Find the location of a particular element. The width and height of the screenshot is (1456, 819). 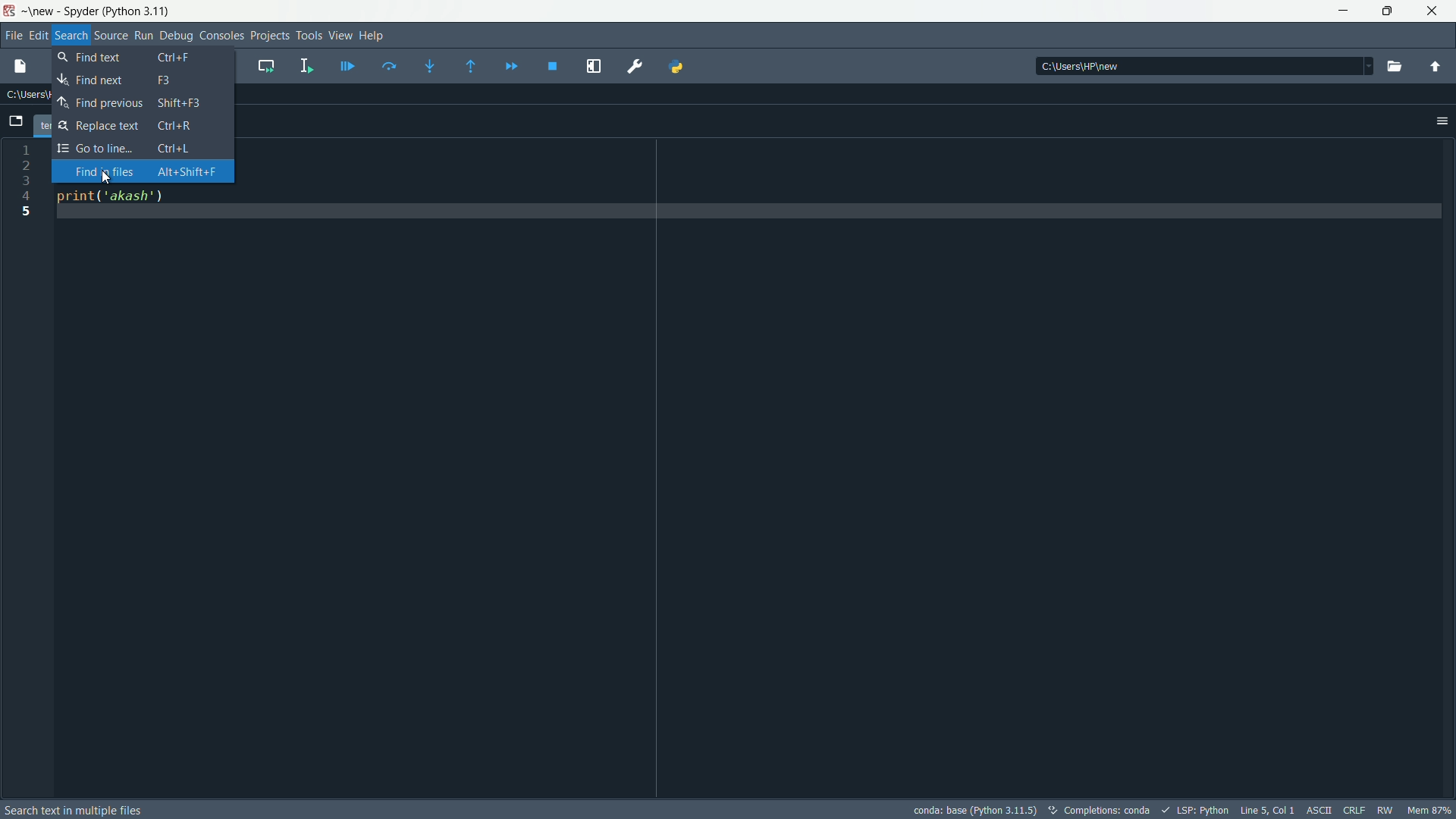

Spyder(Python 3.11) is located at coordinates (101, 11).